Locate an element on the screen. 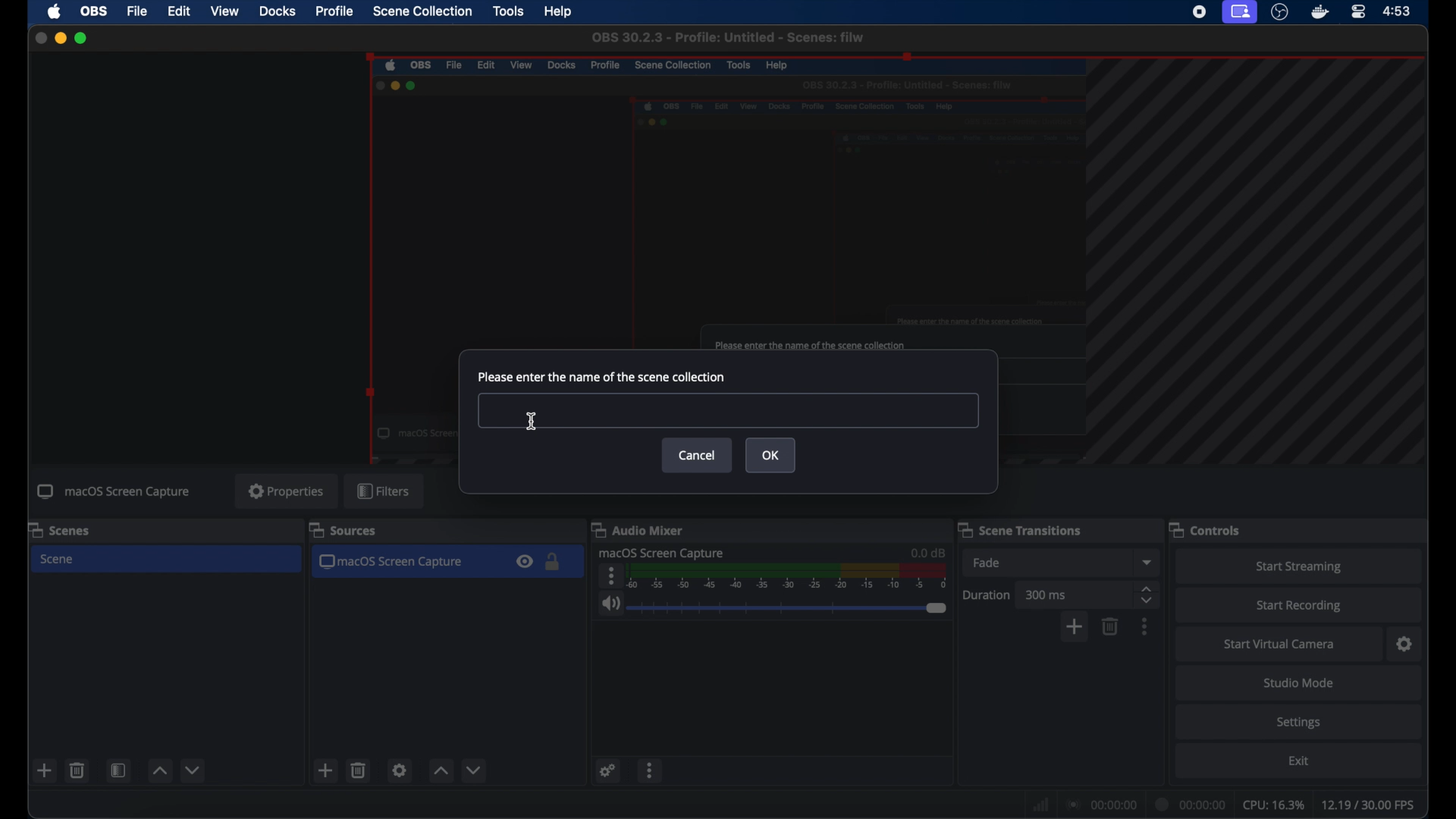  filters is located at coordinates (385, 491).